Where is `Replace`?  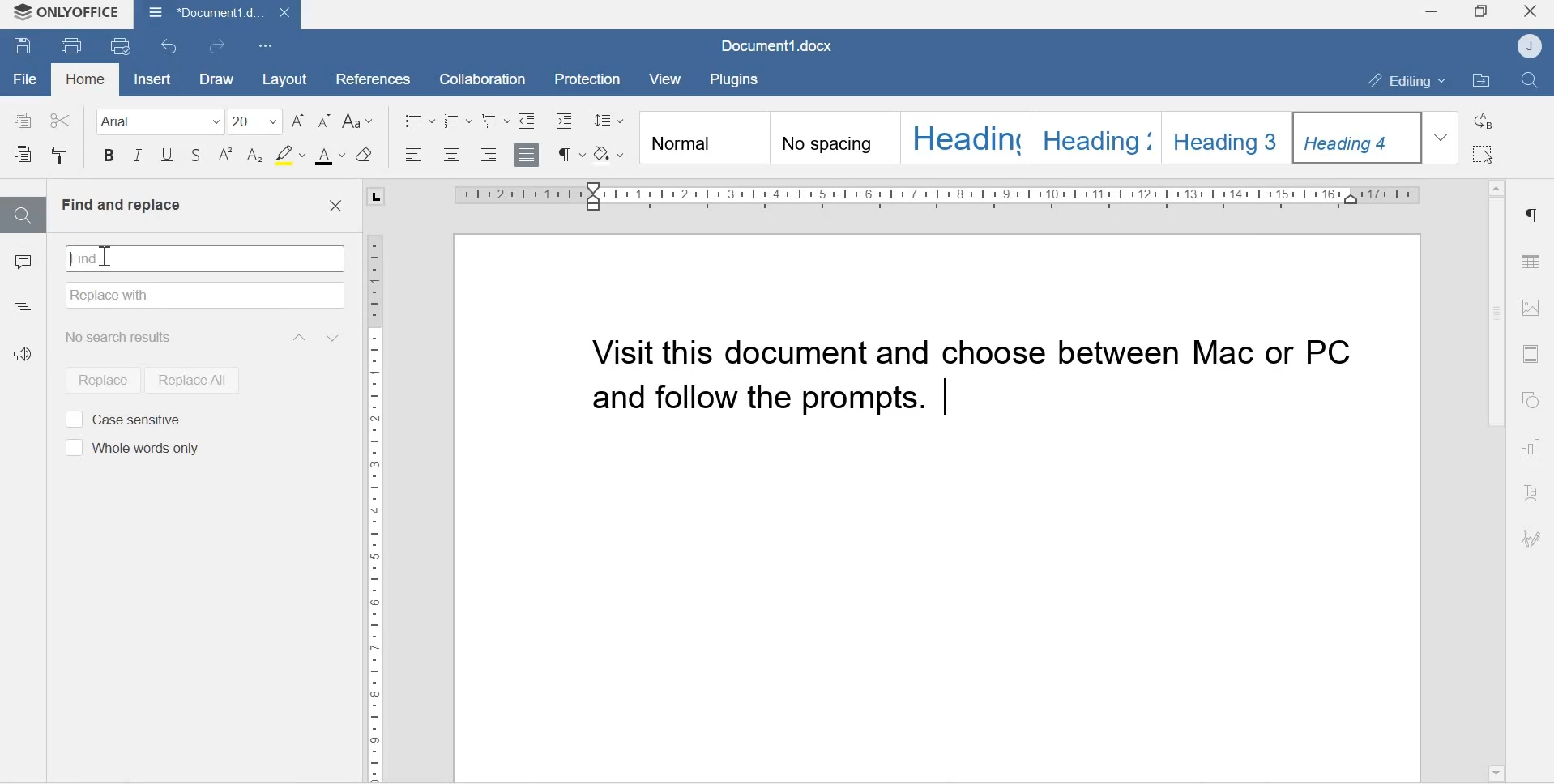
Replace is located at coordinates (1485, 121).